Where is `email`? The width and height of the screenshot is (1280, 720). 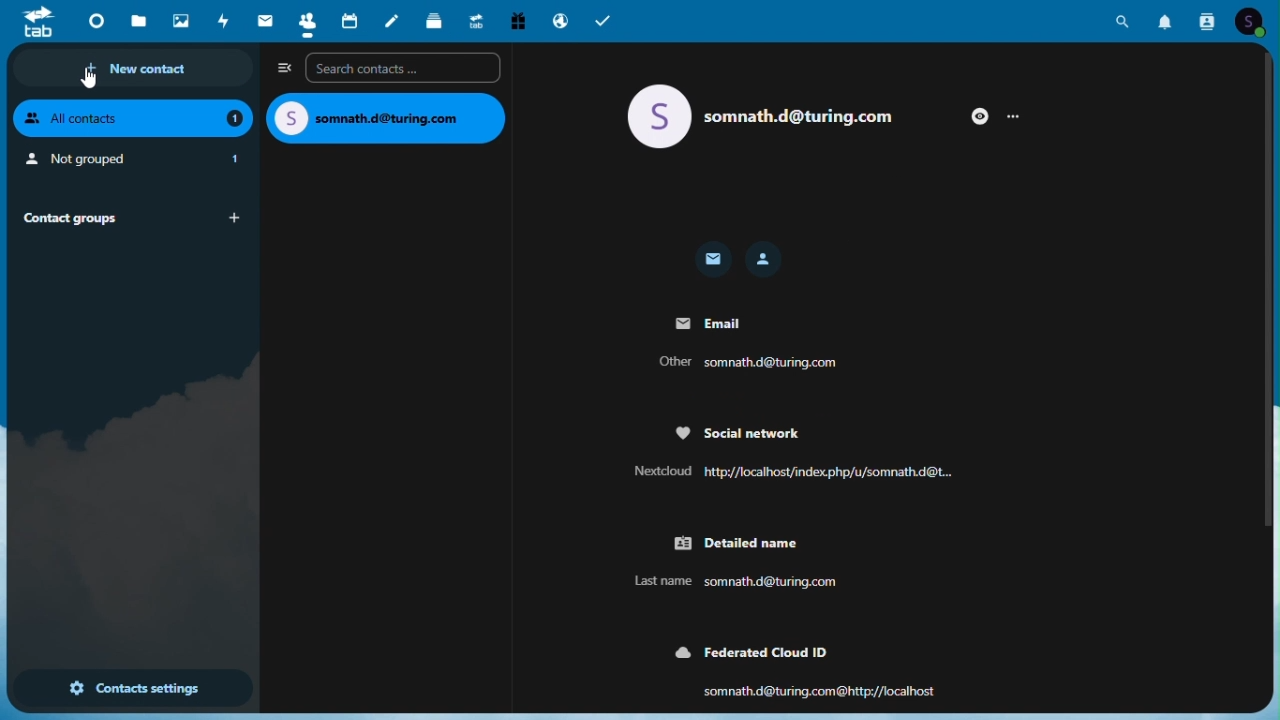
email is located at coordinates (386, 122).